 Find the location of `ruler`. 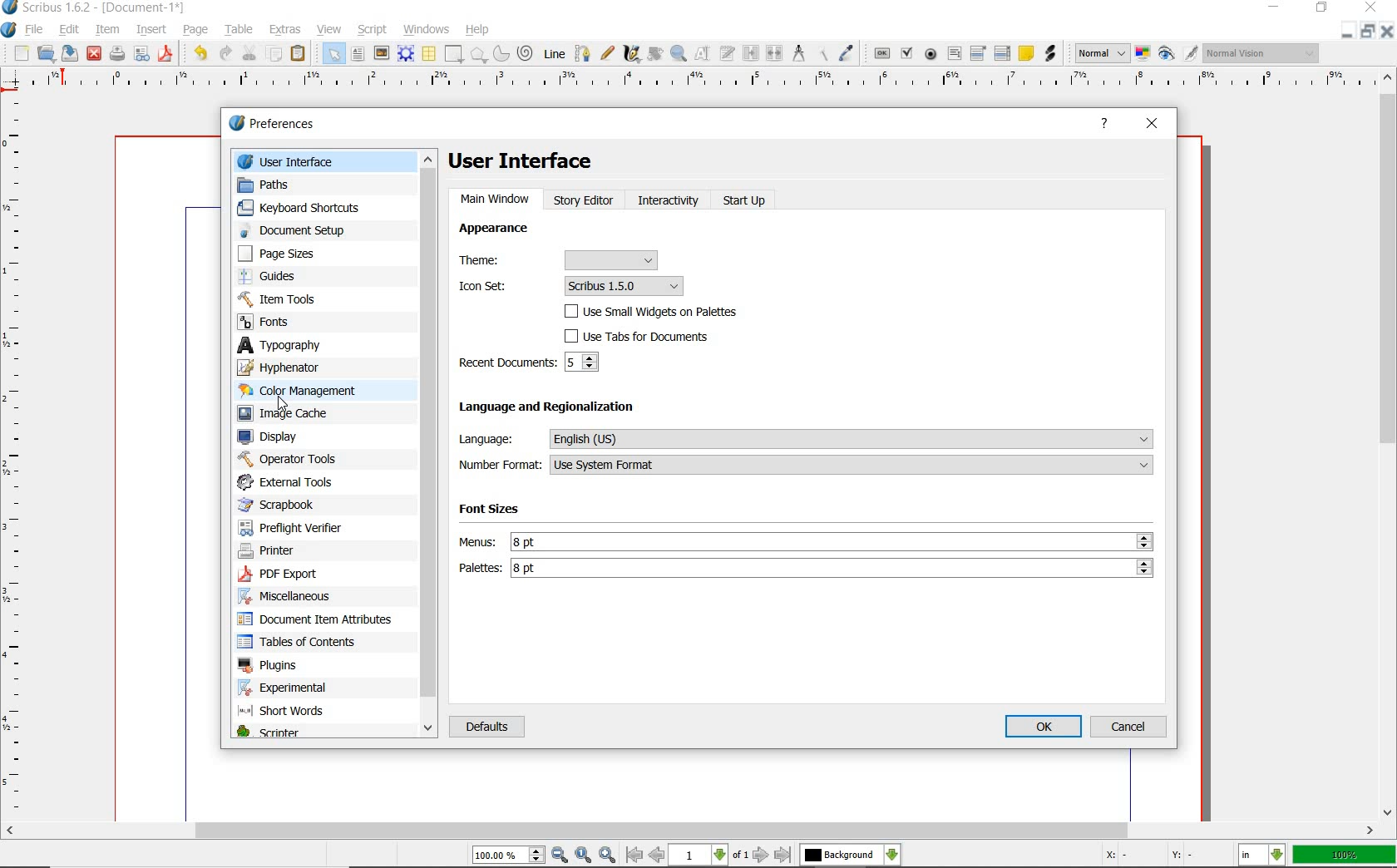

ruler is located at coordinates (22, 457).